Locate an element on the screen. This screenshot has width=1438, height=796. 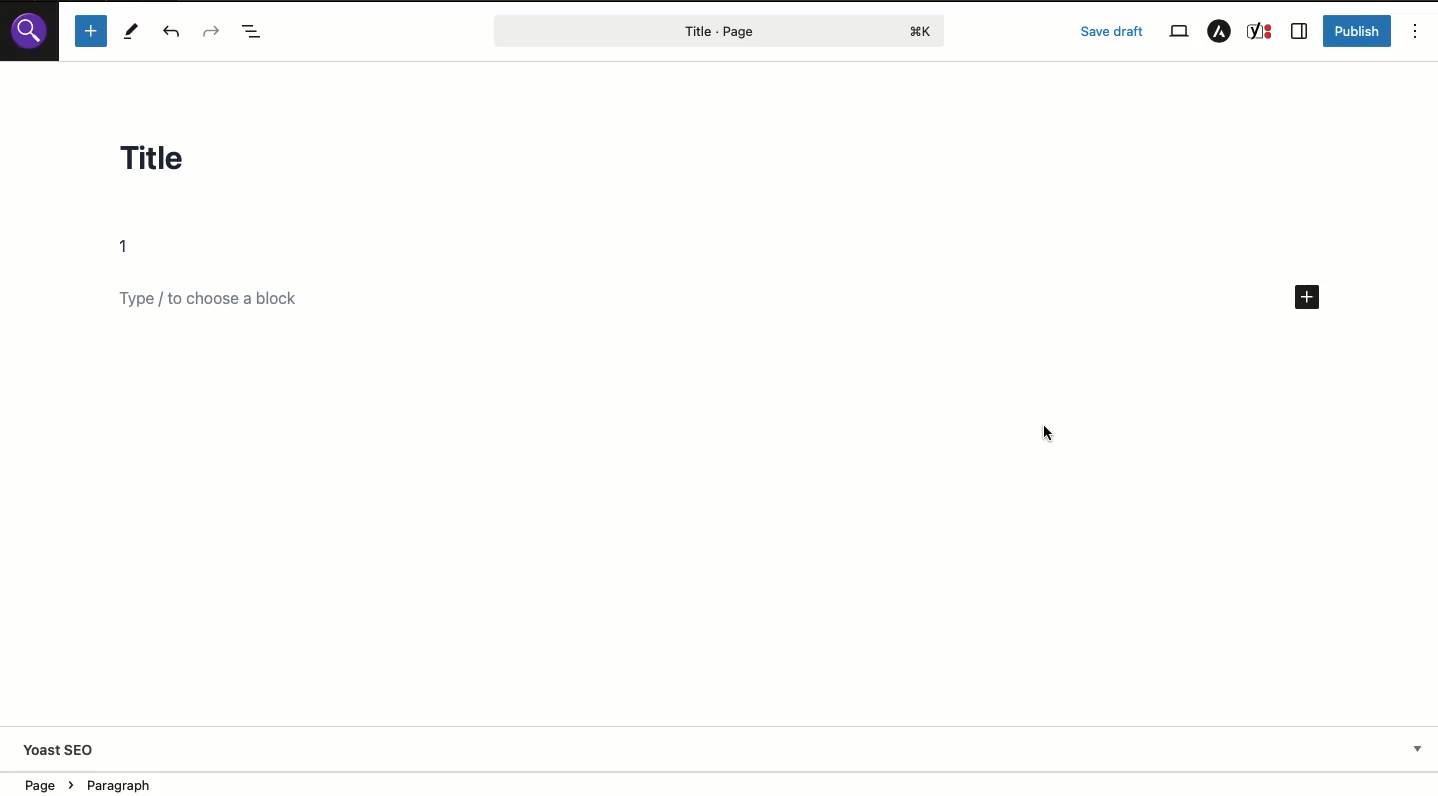
Search  is located at coordinates (29, 30).